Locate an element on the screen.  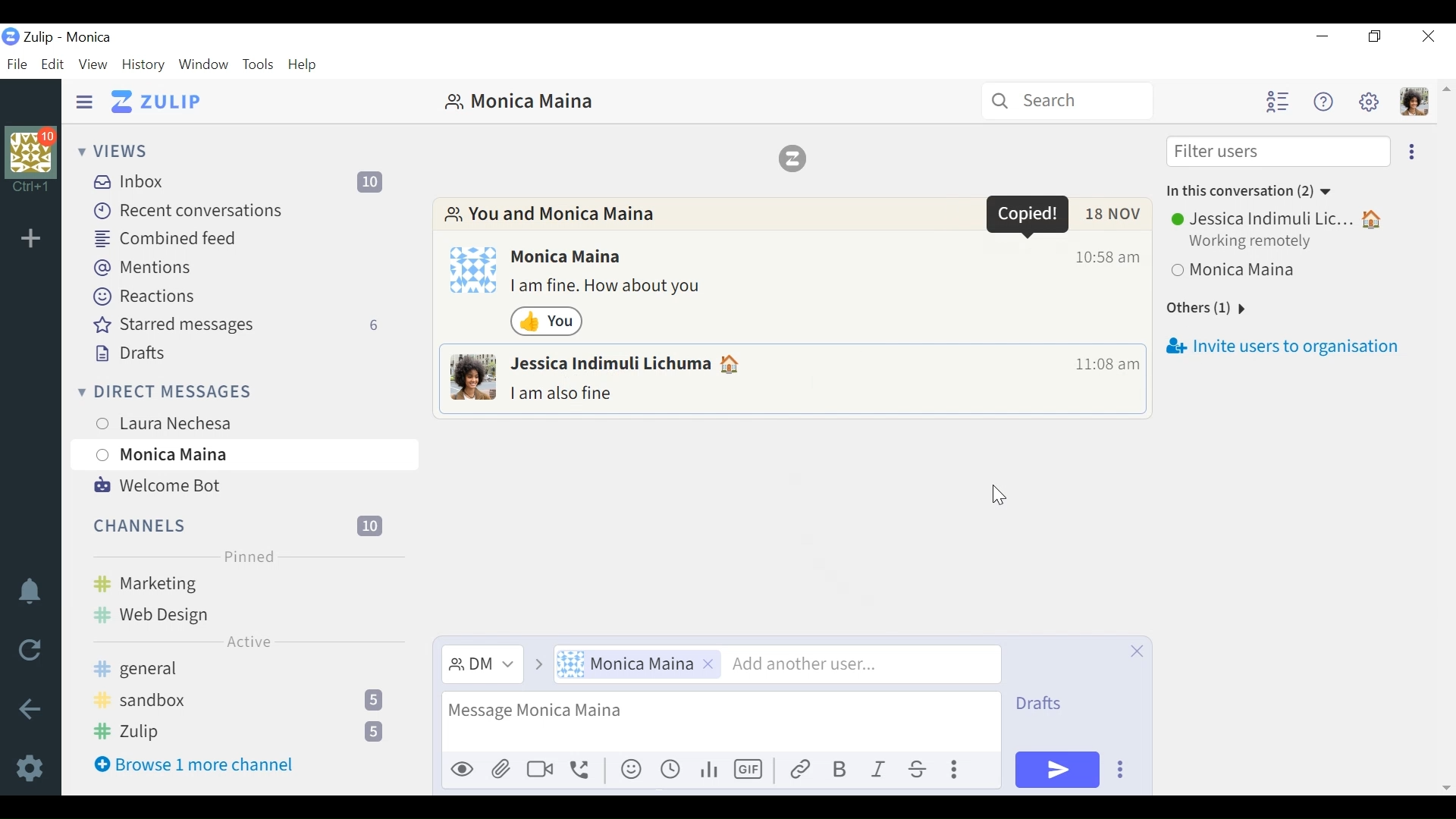
Go to Home View is located at coordinates (156, 101).